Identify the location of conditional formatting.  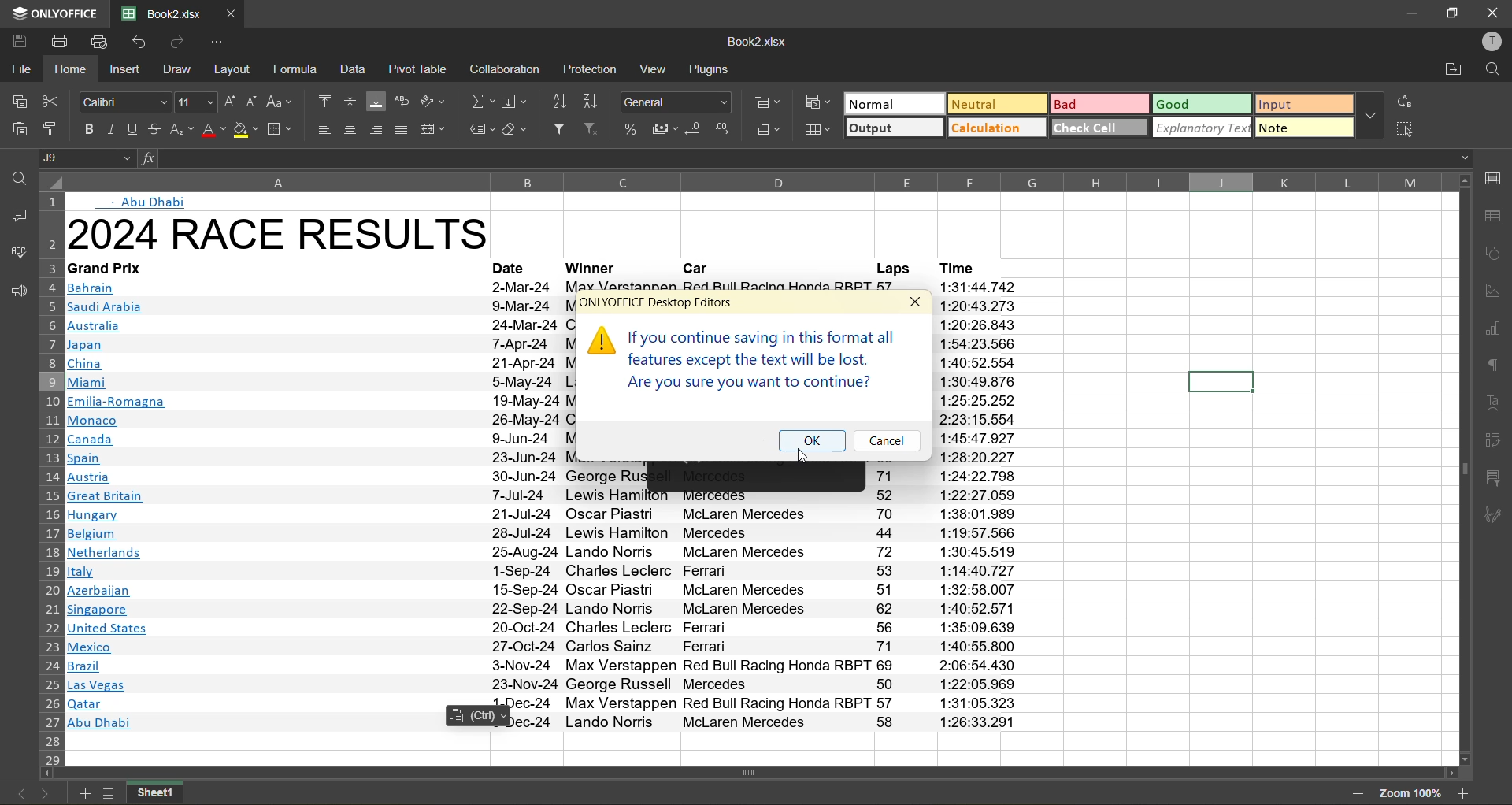
(821, 102).